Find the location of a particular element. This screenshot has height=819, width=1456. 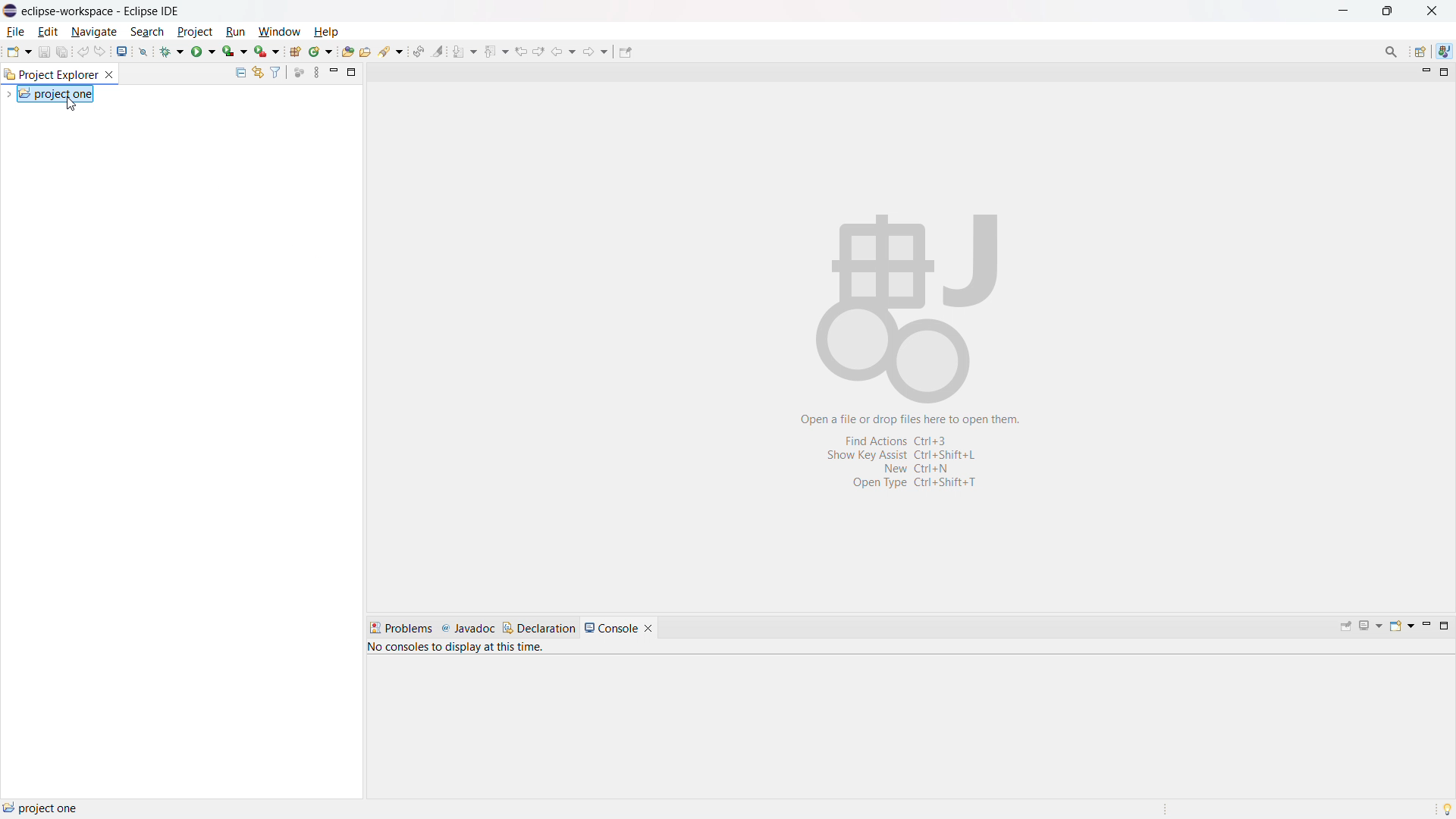

project one is located at coordinates (56, 93).